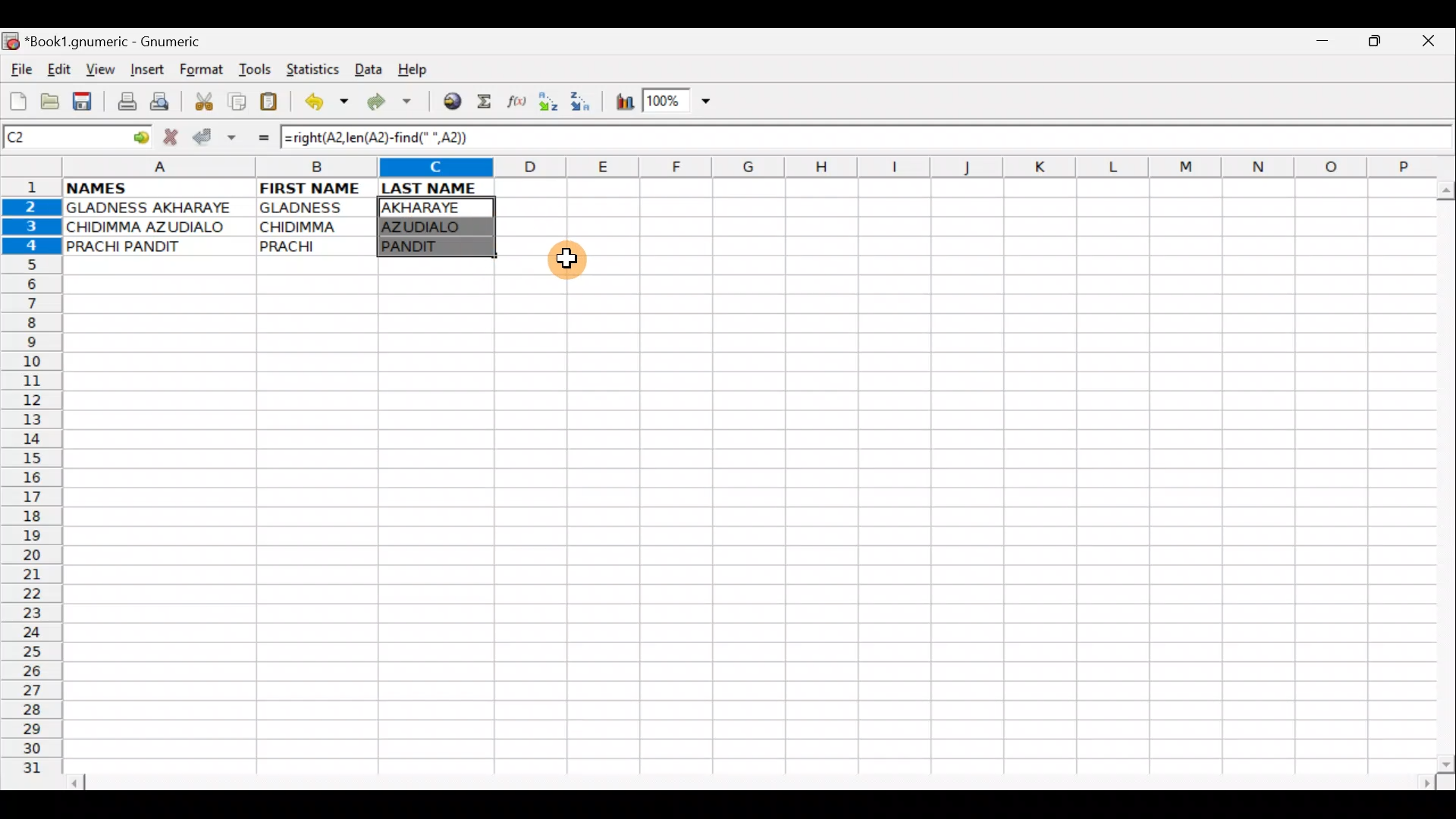 This screenshot has height=819, width=1456. I want to click on LAST NAME, so click(438, 188).